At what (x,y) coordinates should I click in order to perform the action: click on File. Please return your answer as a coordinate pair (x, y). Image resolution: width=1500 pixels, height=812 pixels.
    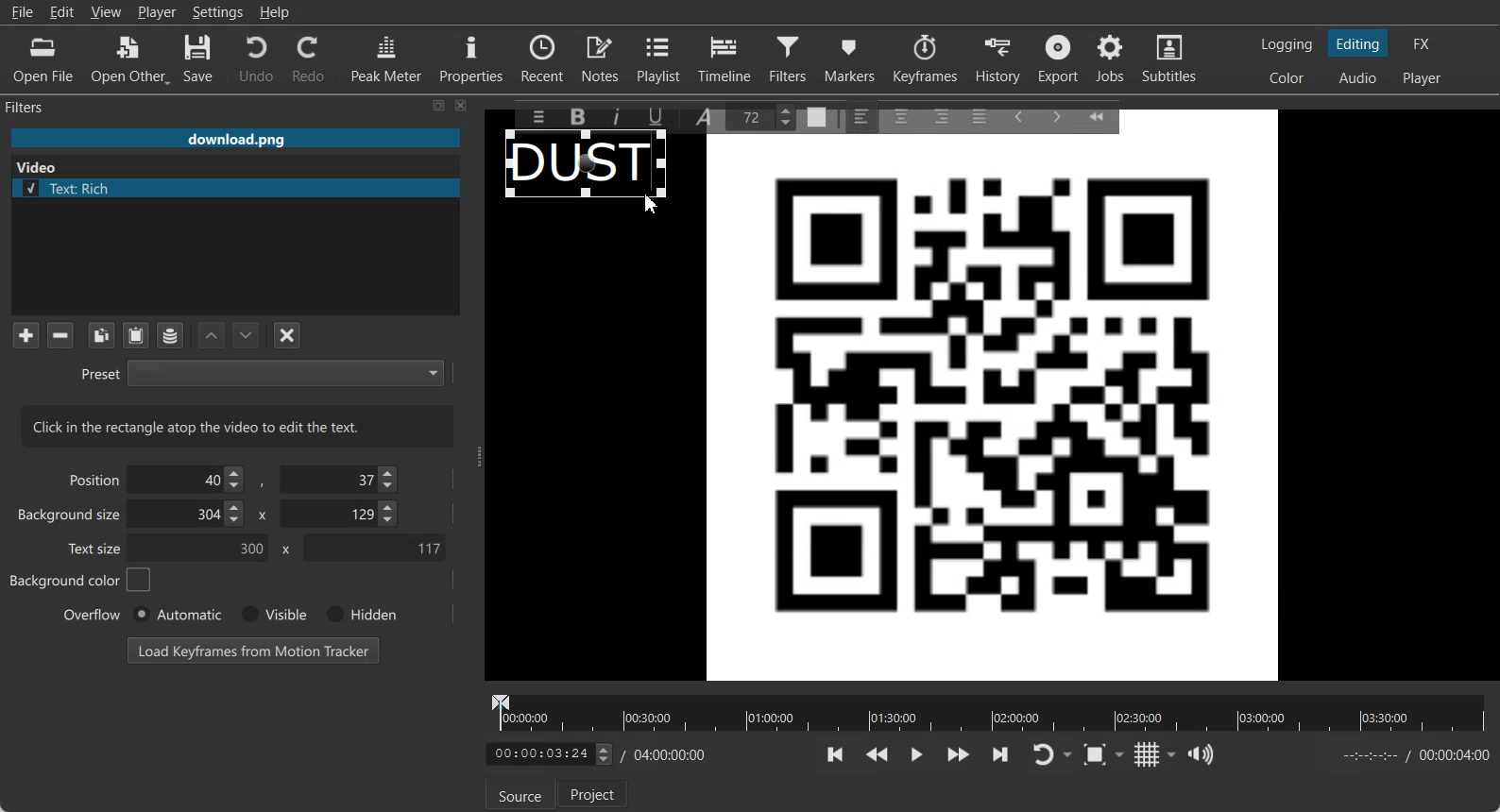
    Looking at the image, I should click on (22, 12).